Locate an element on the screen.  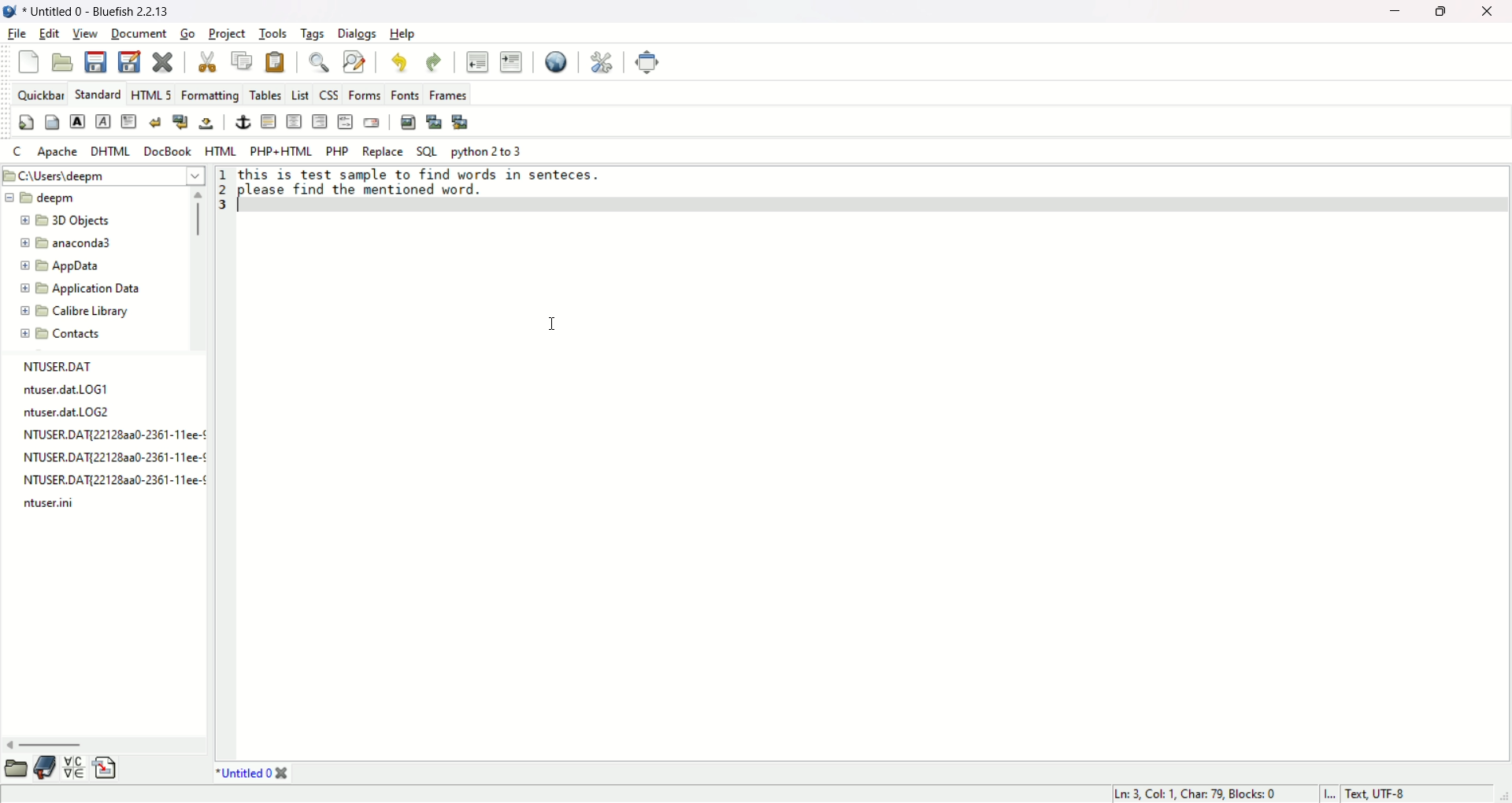
HTML is located at coordinates (220, 149).